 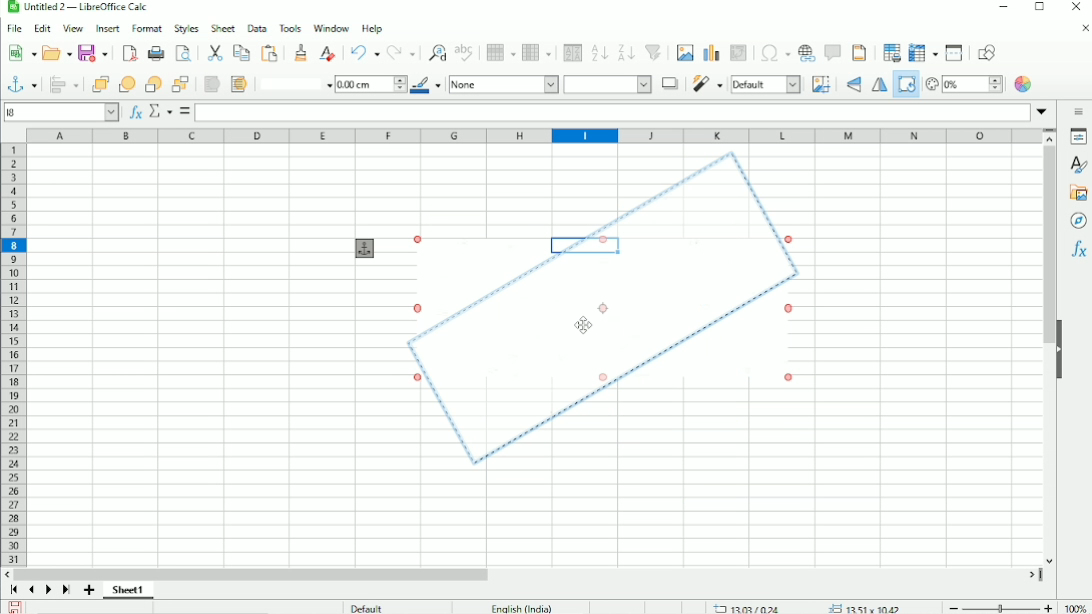 What do you see at coordinates (684, 53) in the screenshot?
I see `Insert image` at bounding box center [684, 53].